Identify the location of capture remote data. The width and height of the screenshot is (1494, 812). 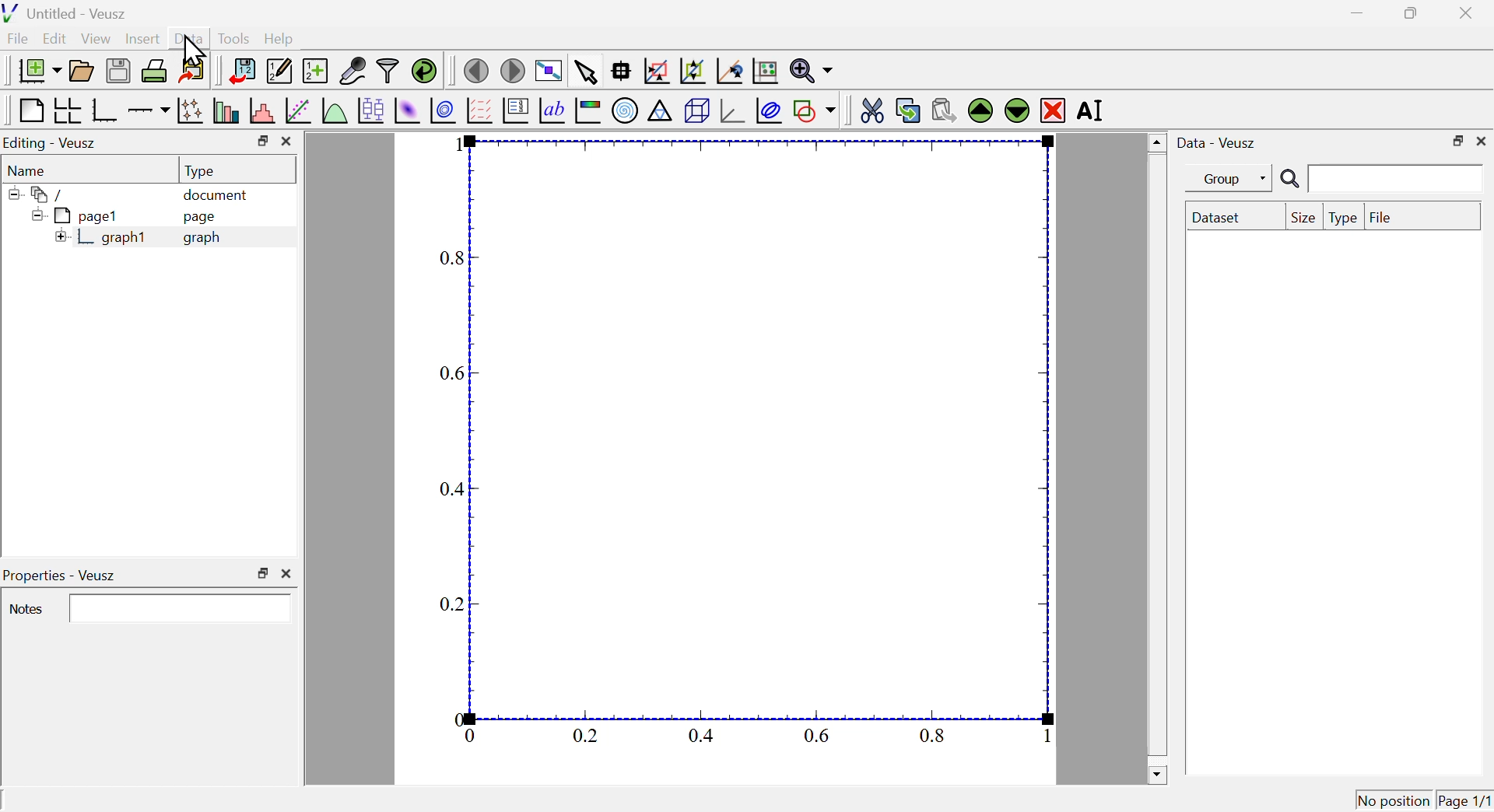
(352, 71).